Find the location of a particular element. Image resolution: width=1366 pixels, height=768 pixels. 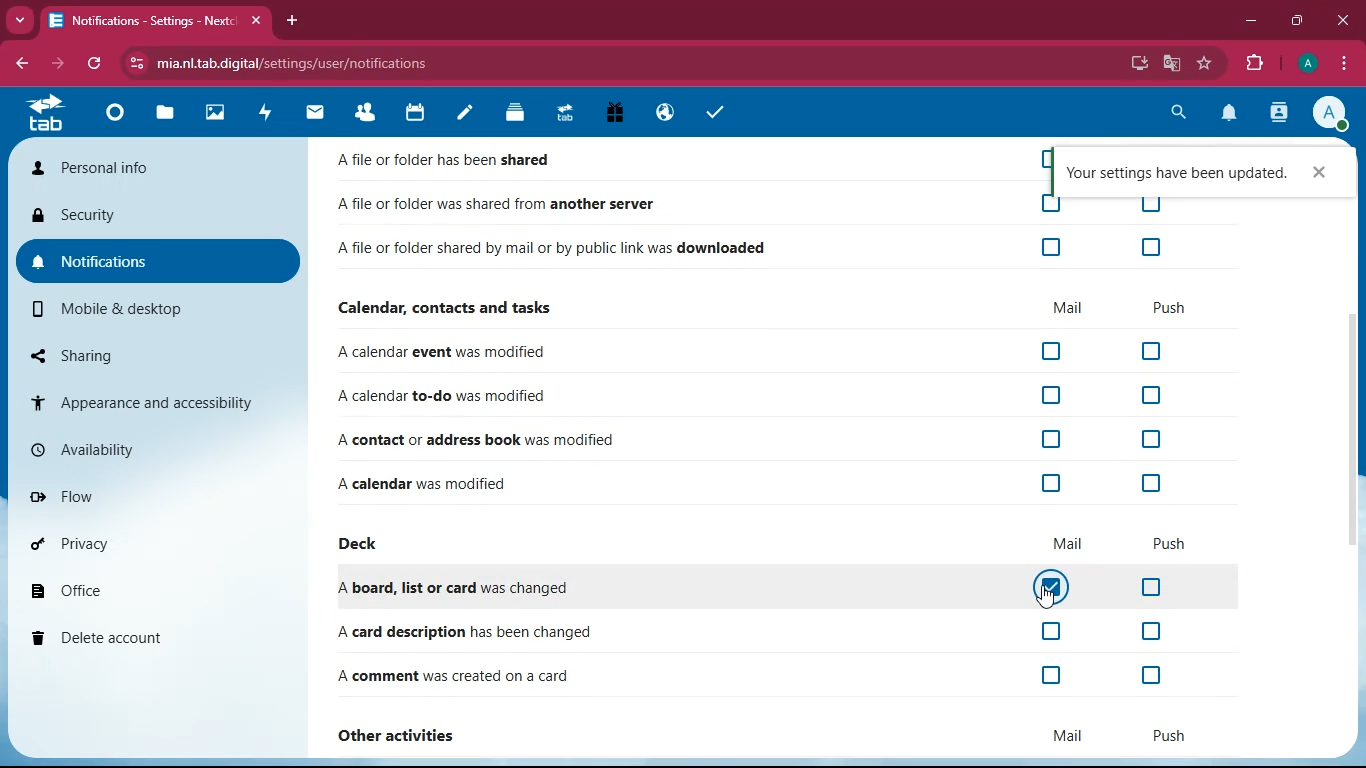

off is located at coordinates (1054, 346).